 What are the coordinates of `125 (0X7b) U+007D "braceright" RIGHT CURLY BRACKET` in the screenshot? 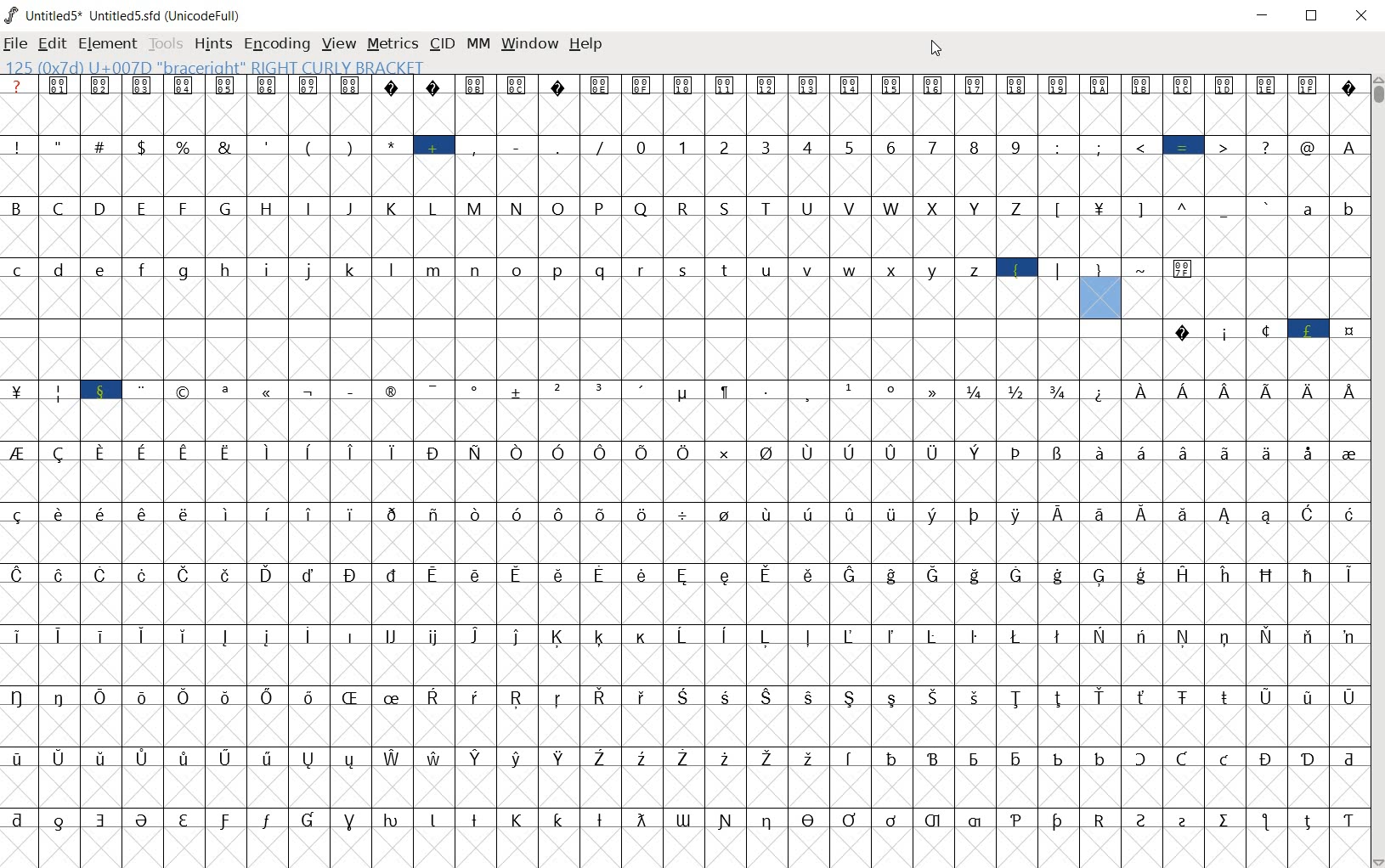 It's located at (219, 66).